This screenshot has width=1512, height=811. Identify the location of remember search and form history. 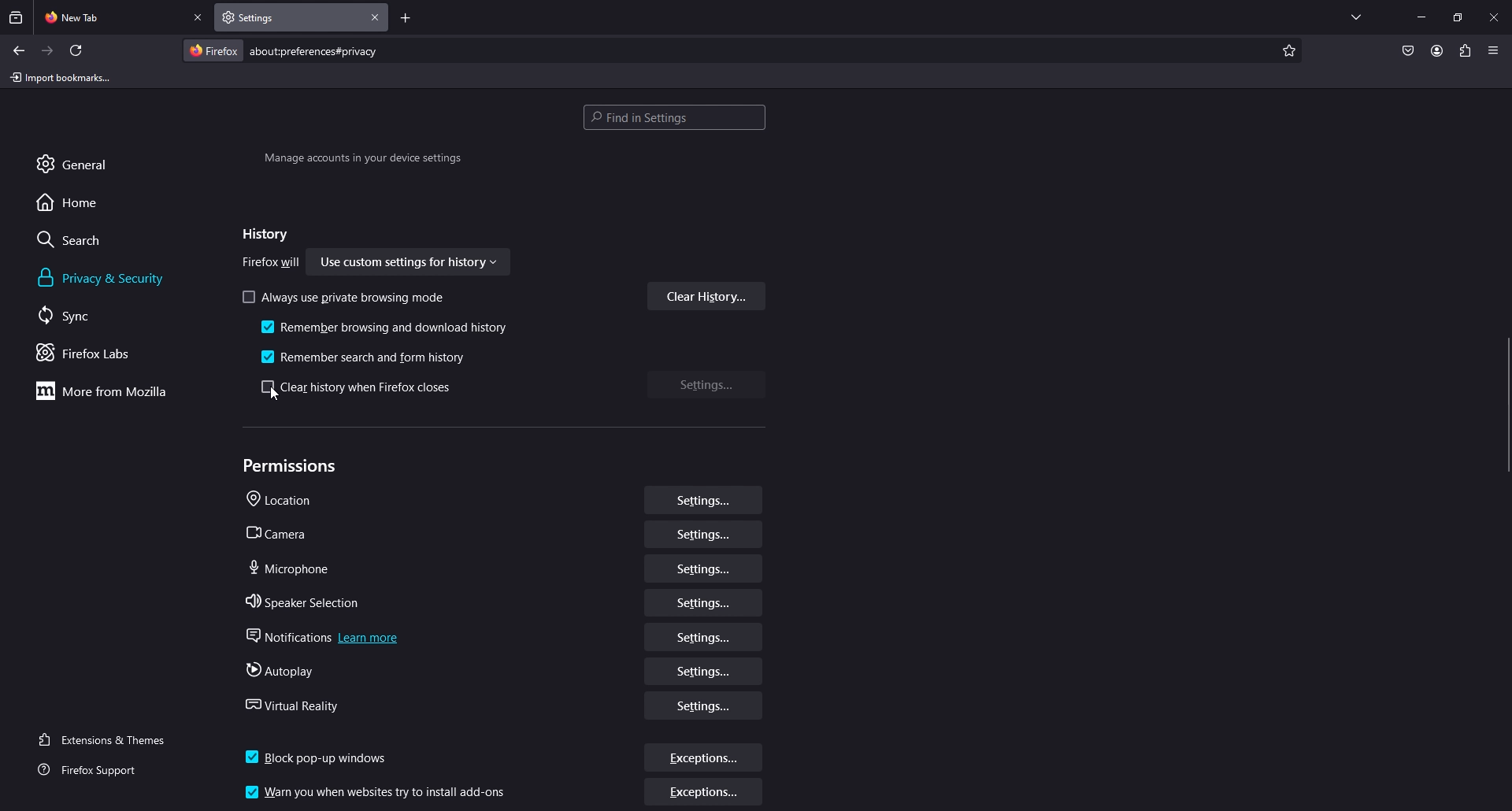
(369, 355).